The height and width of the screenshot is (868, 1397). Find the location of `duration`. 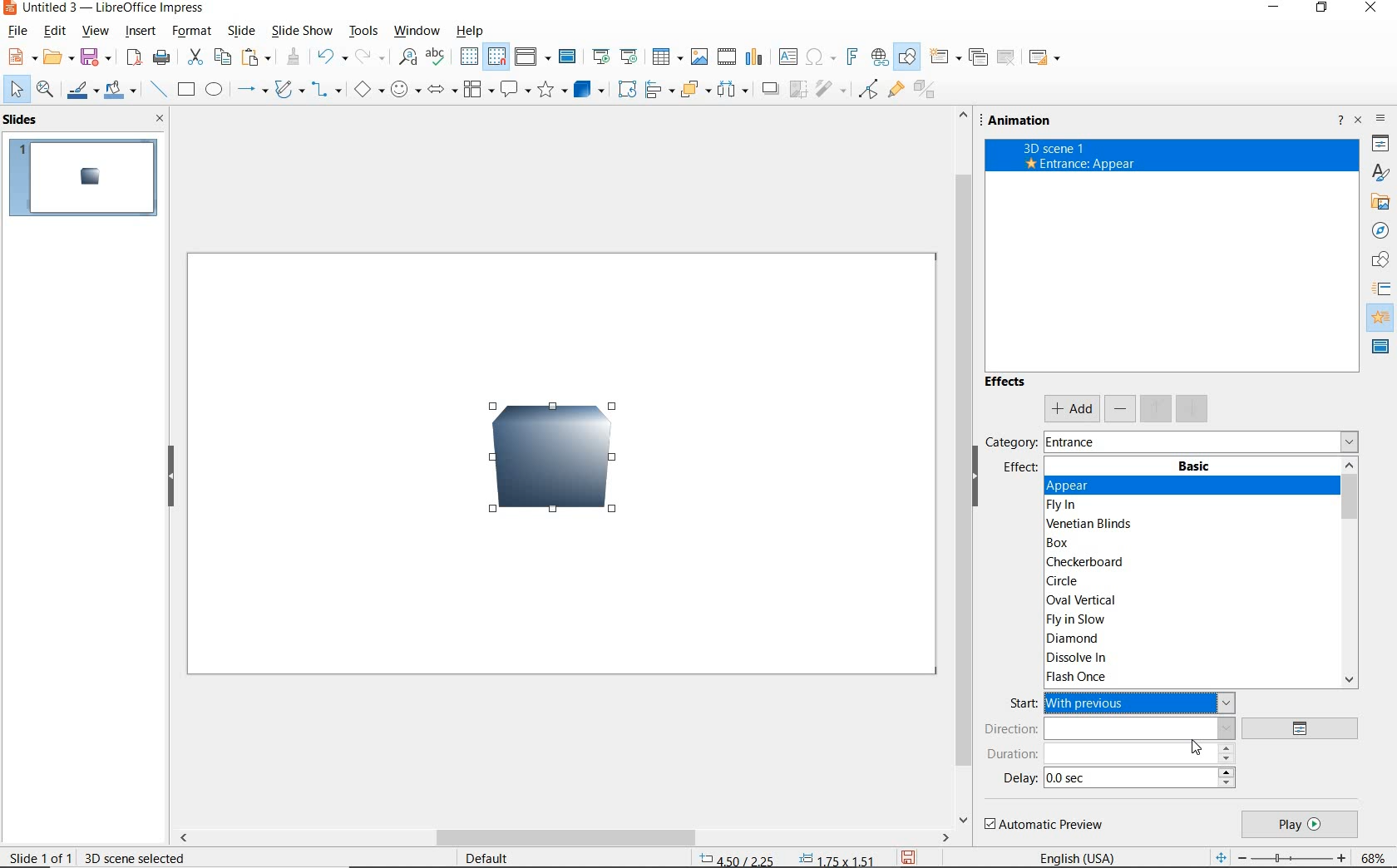

duration is located at coordinates (1111, 753).